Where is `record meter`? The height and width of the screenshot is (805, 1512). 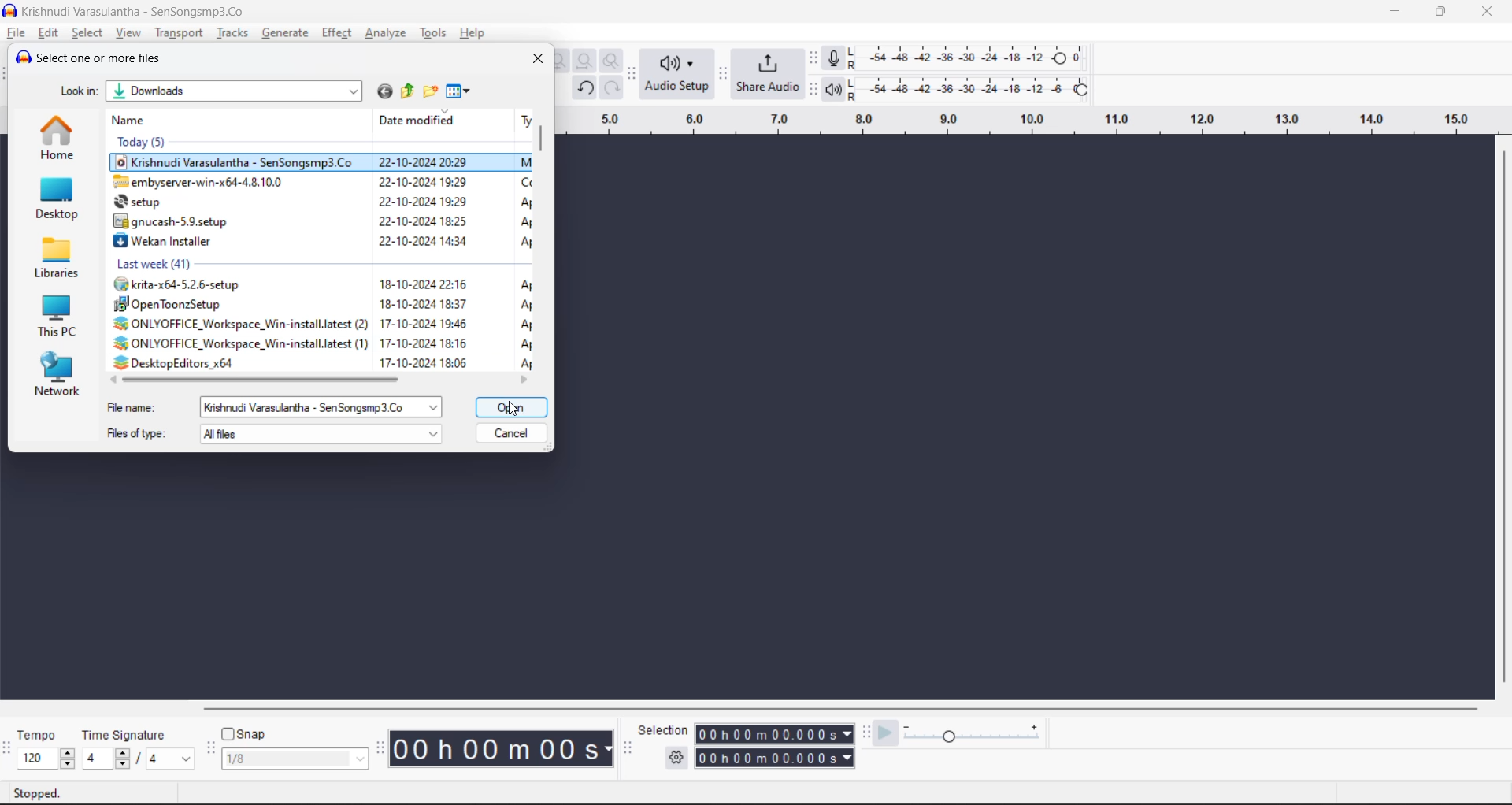
record meter is located at coordinates (839, 58).